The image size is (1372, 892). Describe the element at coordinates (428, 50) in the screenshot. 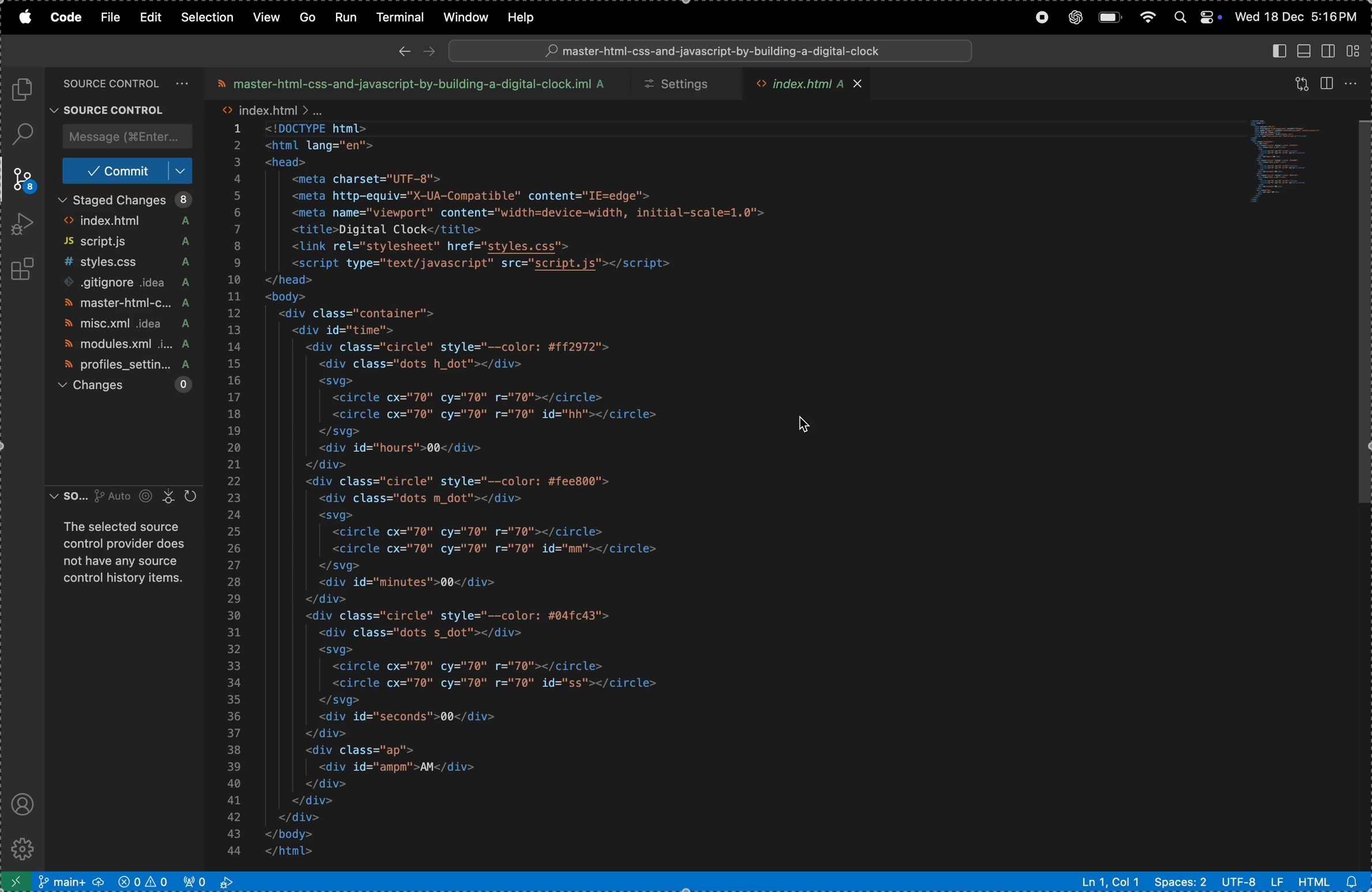

I see `forward` at that location.